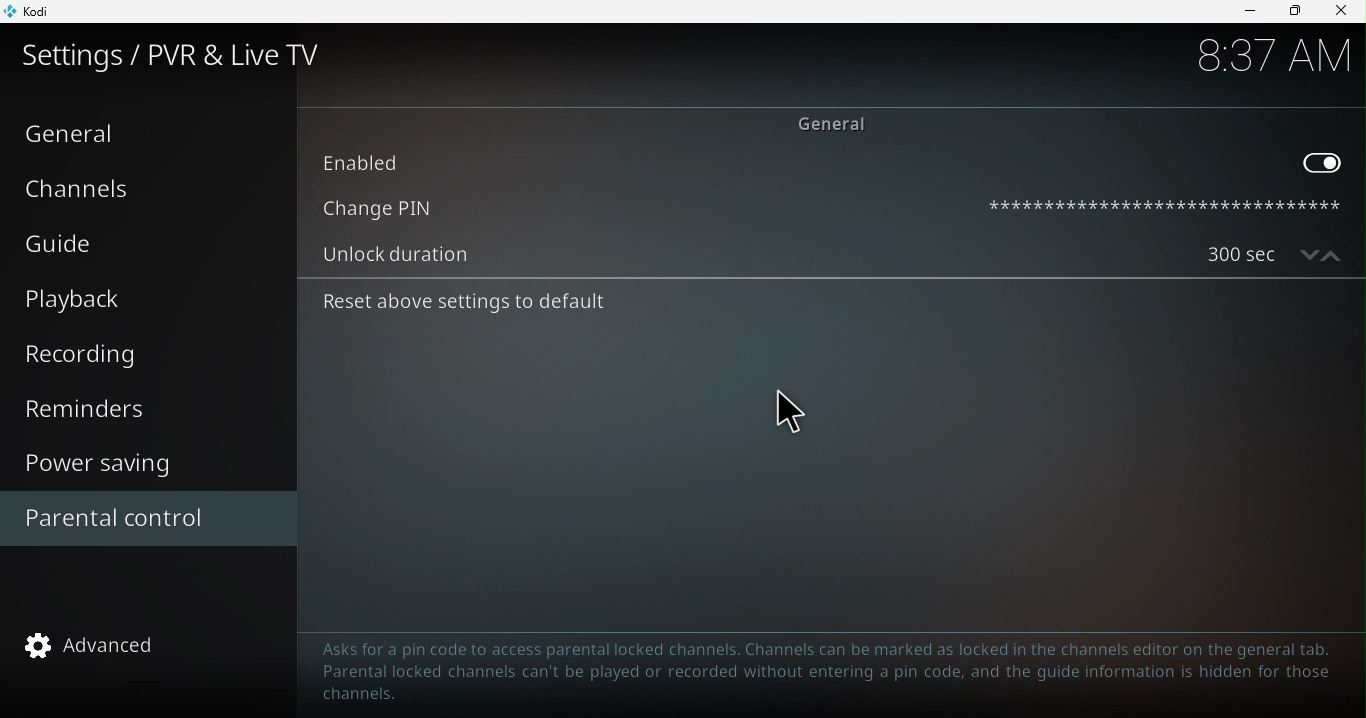 Image resolution: width=1366 pixels, height=718 pixels. I want to click on Settings/PVR and Live TV, so click(187, 56).